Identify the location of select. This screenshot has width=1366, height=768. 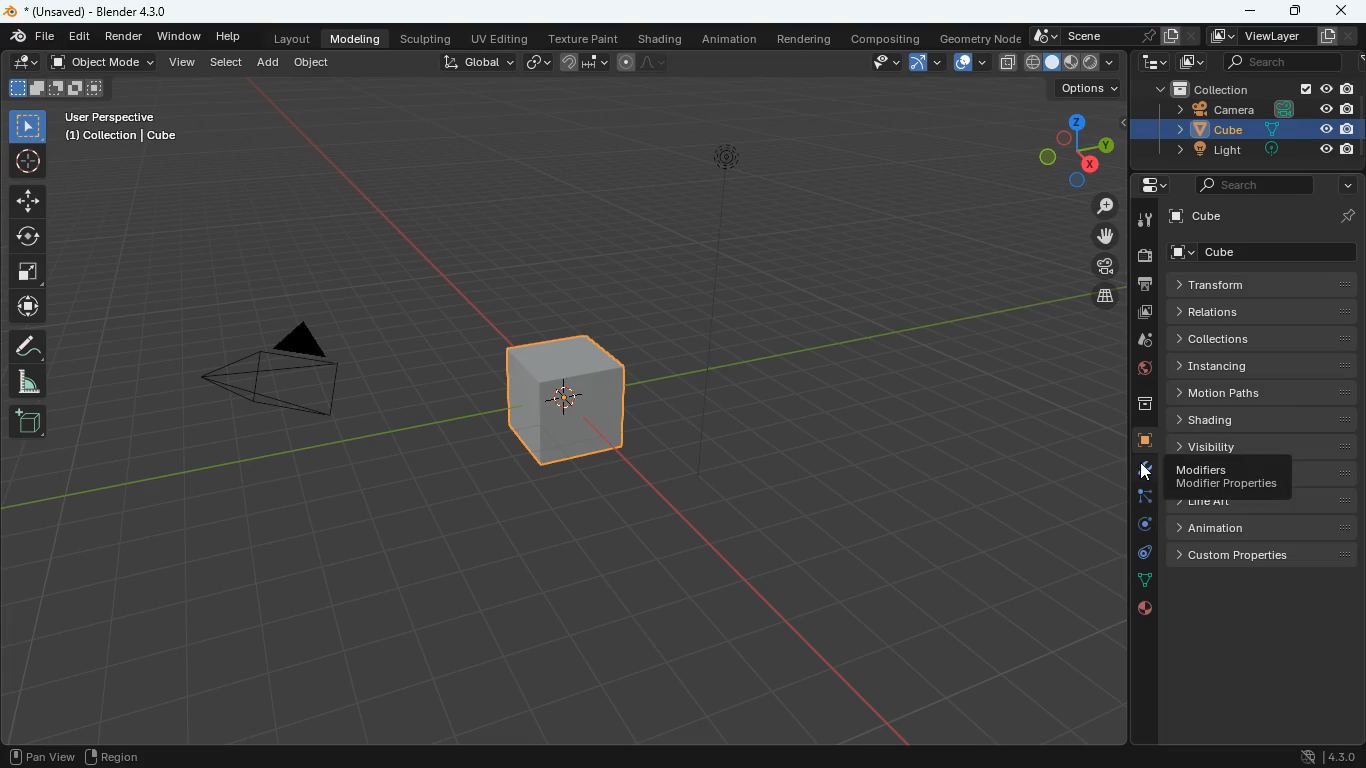
(26, 126).